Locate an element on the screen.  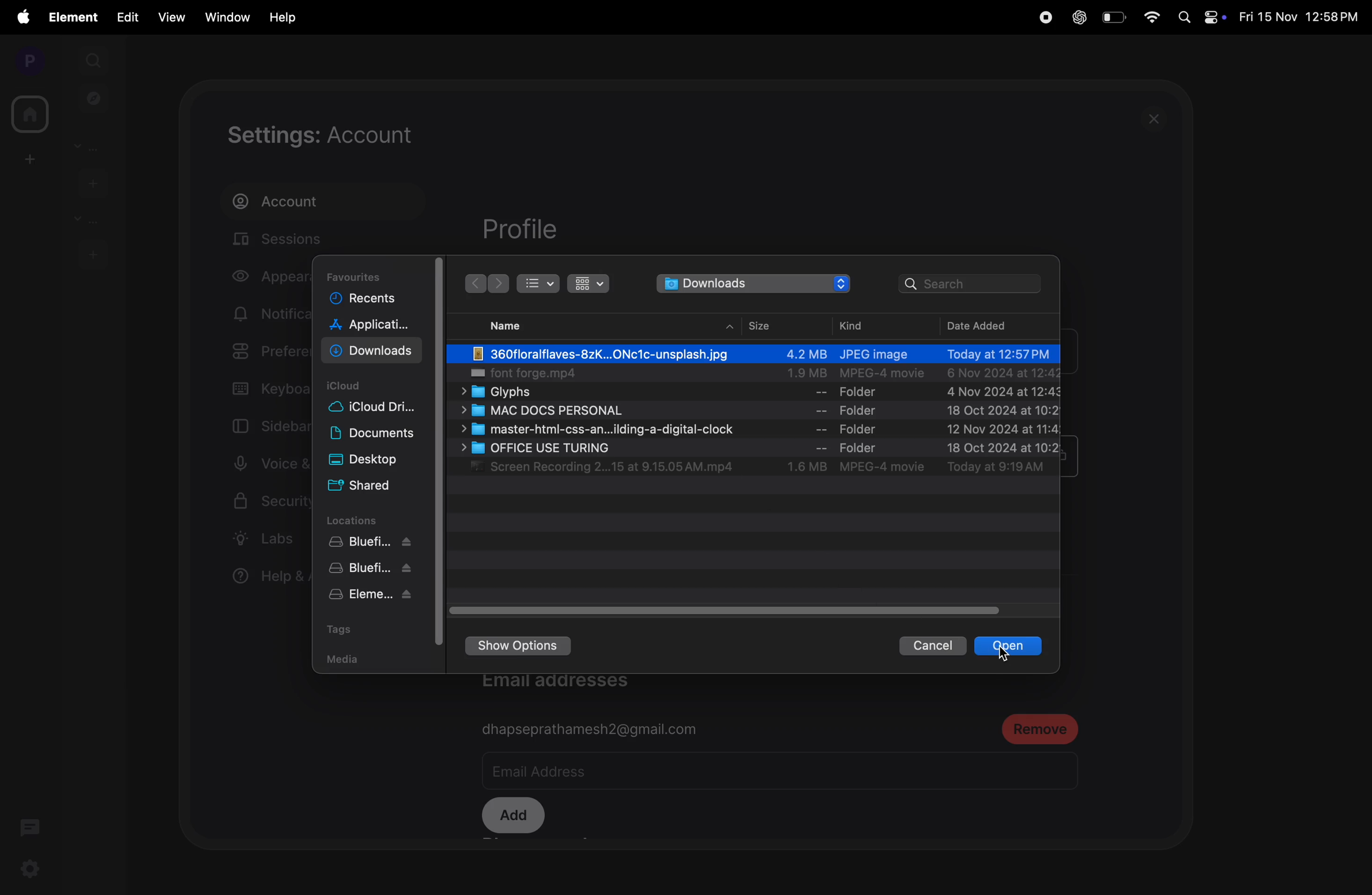
account is located at coordinates (302, 202).